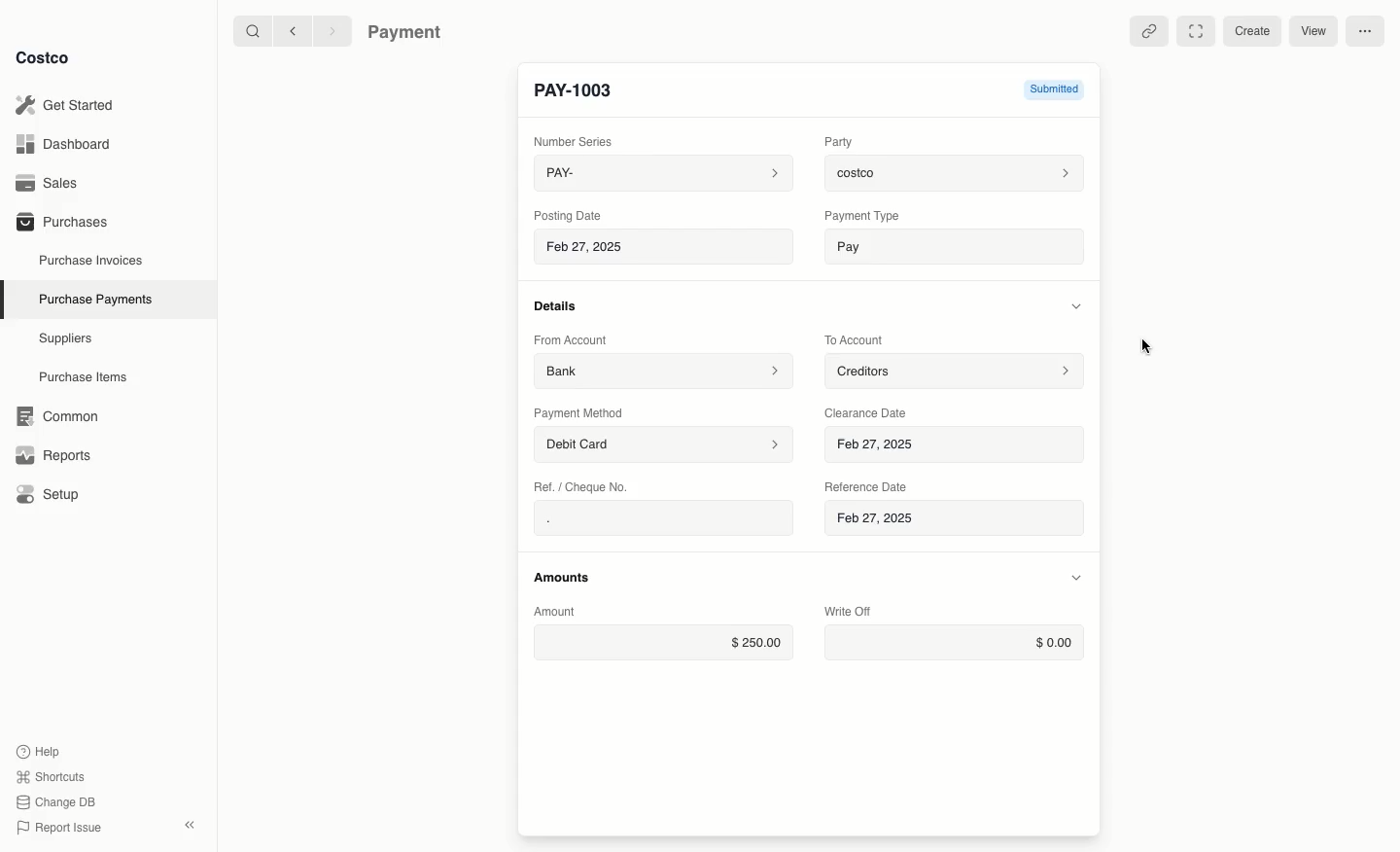 Image resolution: width=1400 pixels, height=852 pixels. What do you see at coordinates (92, 260) in the screenshot?
I see `Purchase Invoices` at bounding box center [92, 260].